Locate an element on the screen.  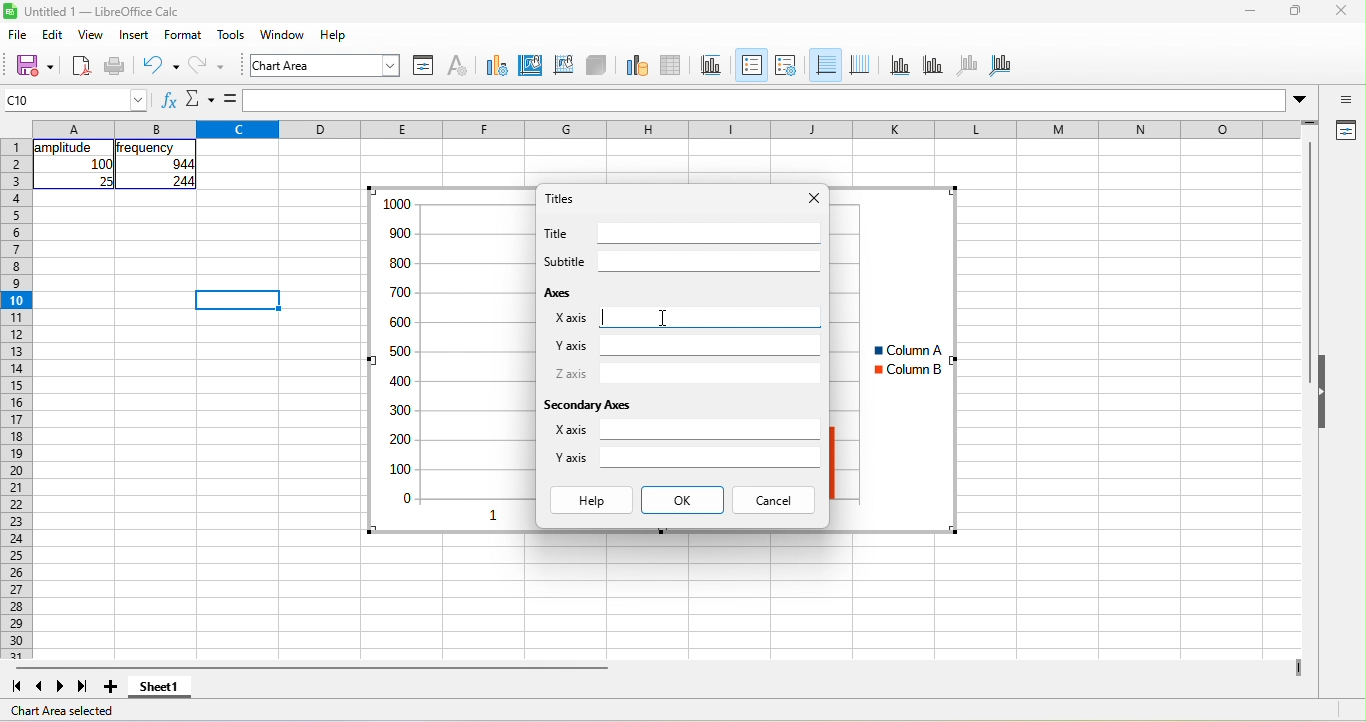
frequency is located at coordinates (145, 148).